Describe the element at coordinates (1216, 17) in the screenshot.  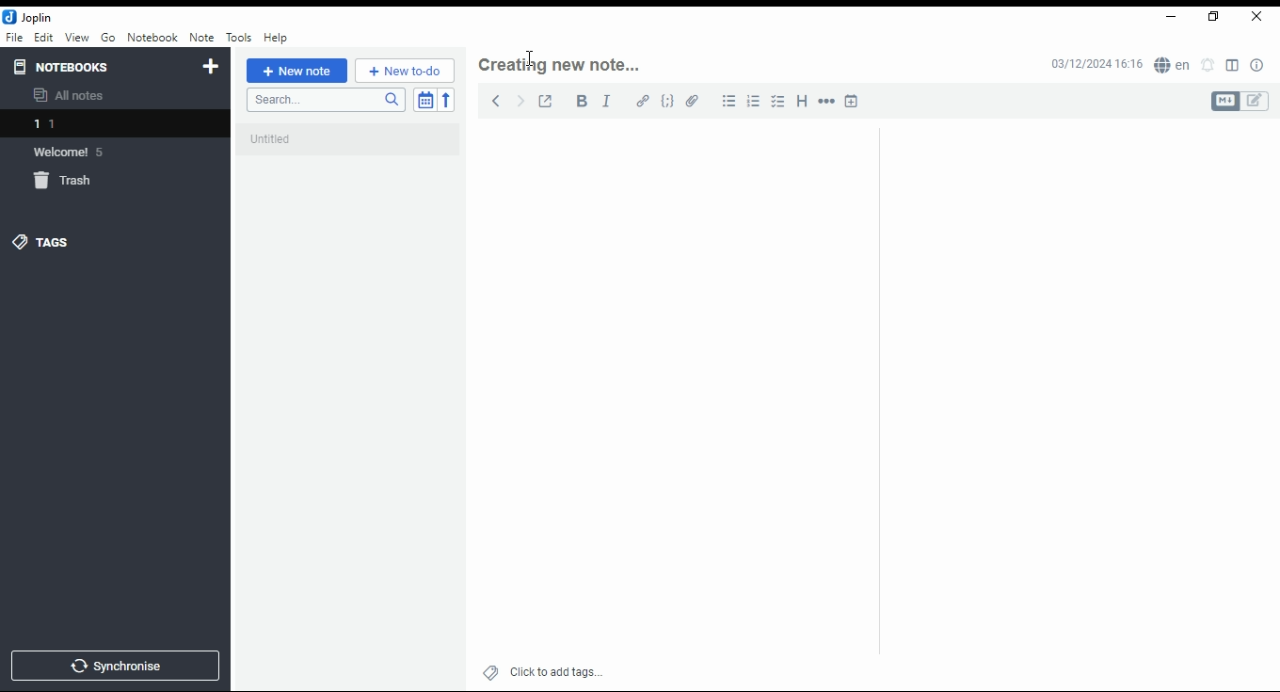
I see `restore` at that location.